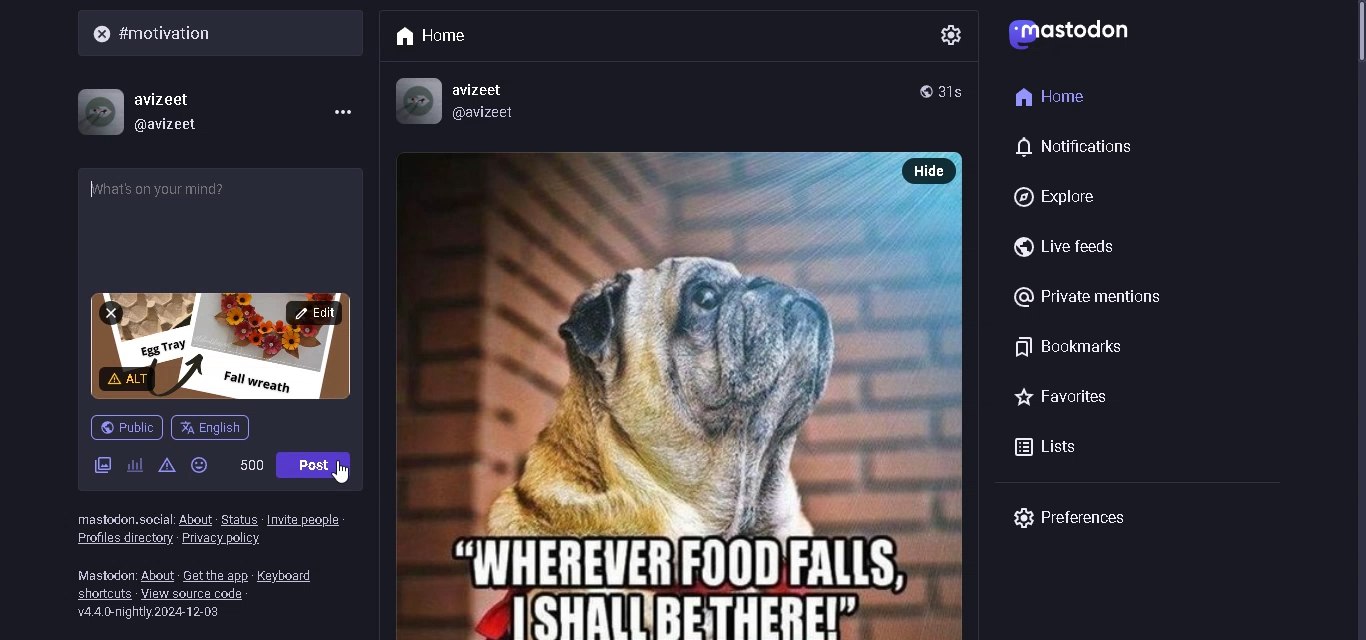 Image resolution: width=1366 pixels, height=640 pixels. Describe the element at coordinates (304, 518) in the screenshot. I see `invite people` at that location.